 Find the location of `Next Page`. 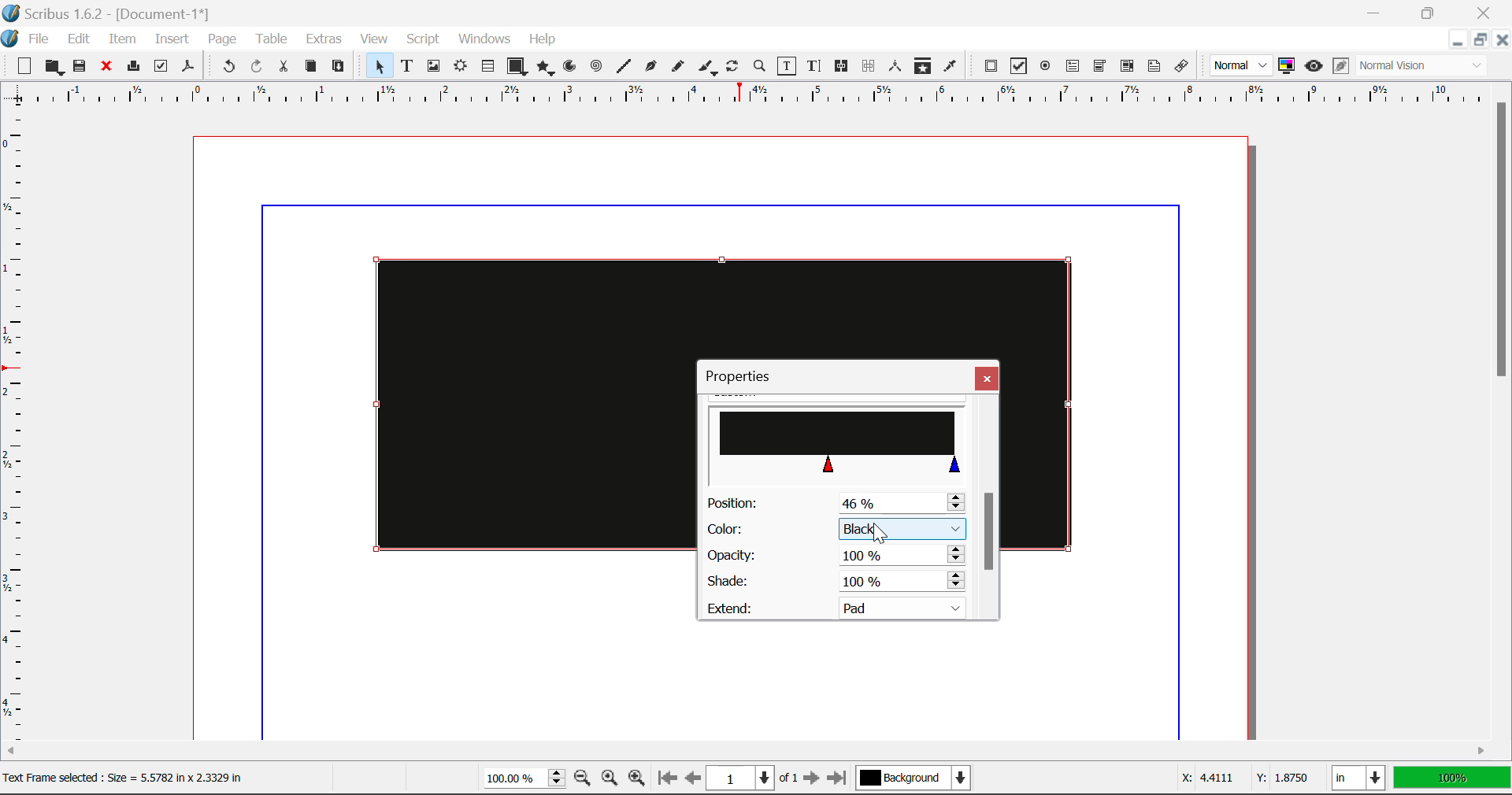

Next Page is located at coordinates (811, 779).